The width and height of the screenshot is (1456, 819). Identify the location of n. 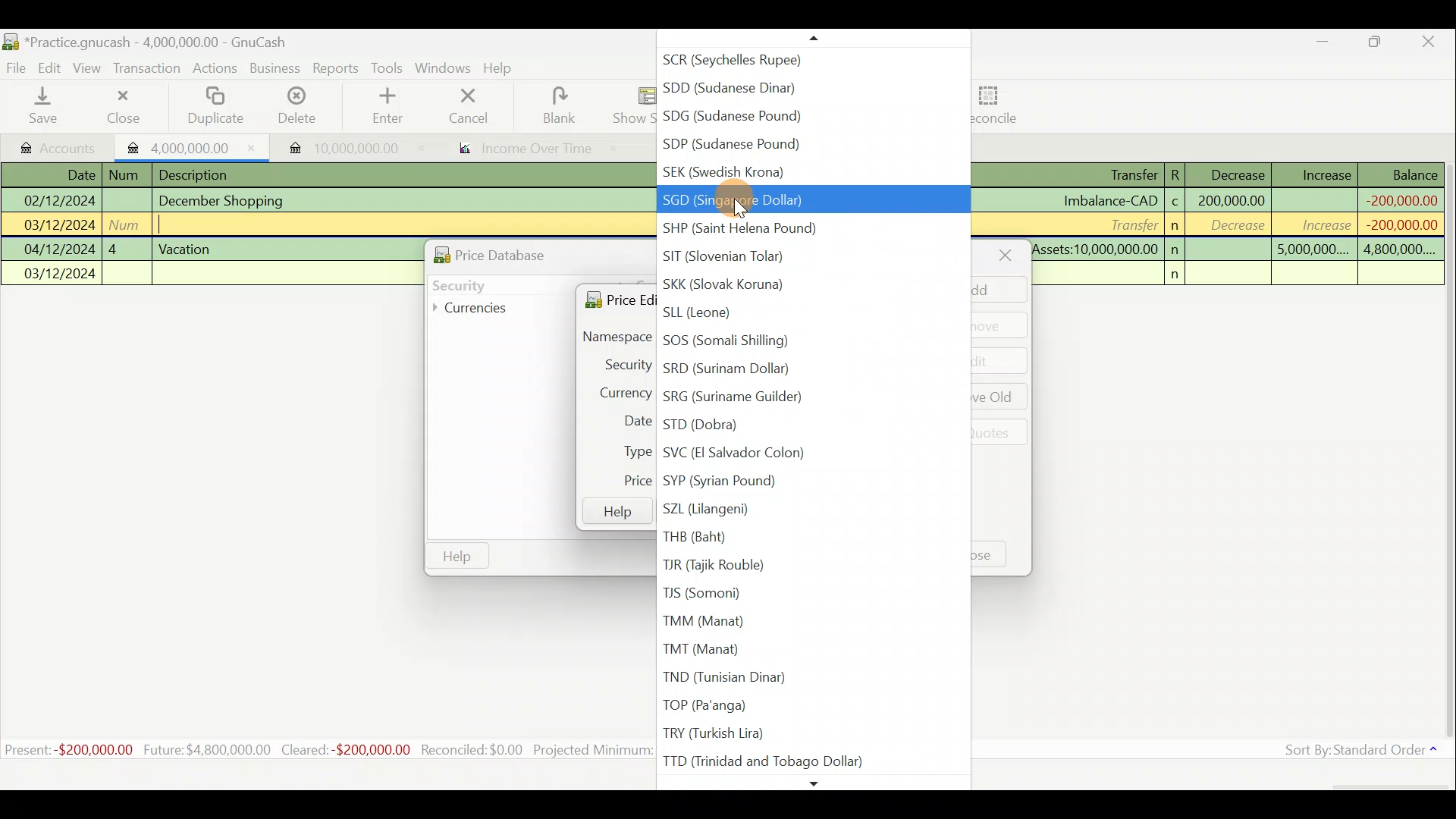
(1177, 226).